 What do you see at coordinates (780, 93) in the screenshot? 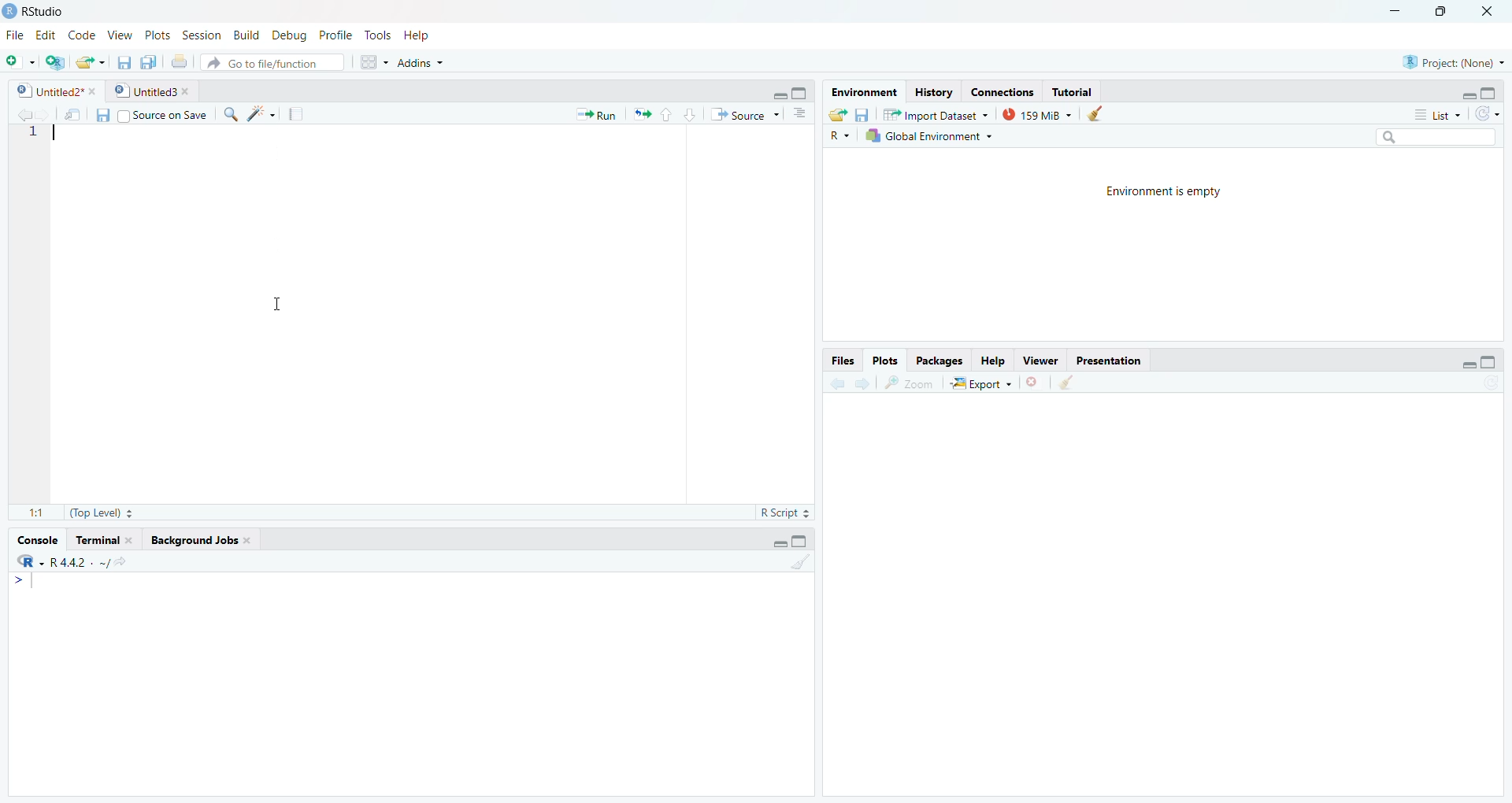
I see `Minimize` at bounding box center [780, 93].